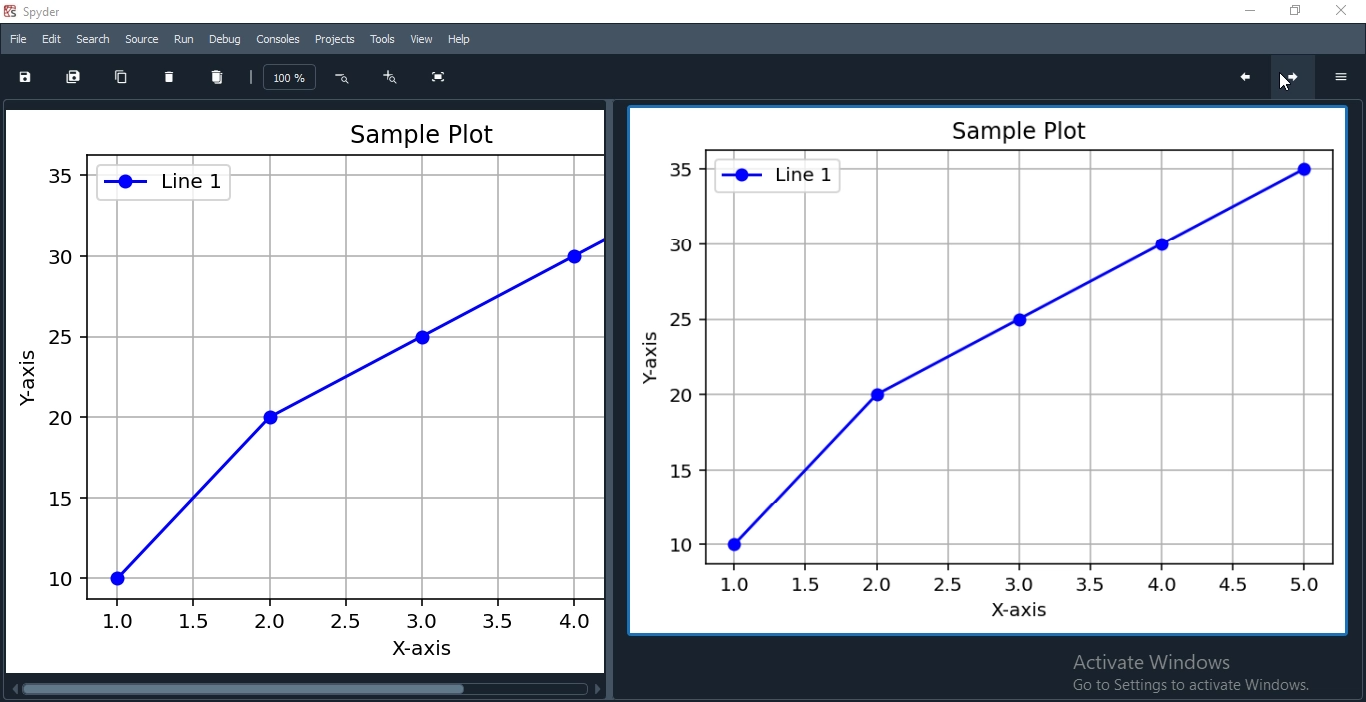  Describe the element at coordinates (382, 39) in the screenshot. I see `Tools` at that location.